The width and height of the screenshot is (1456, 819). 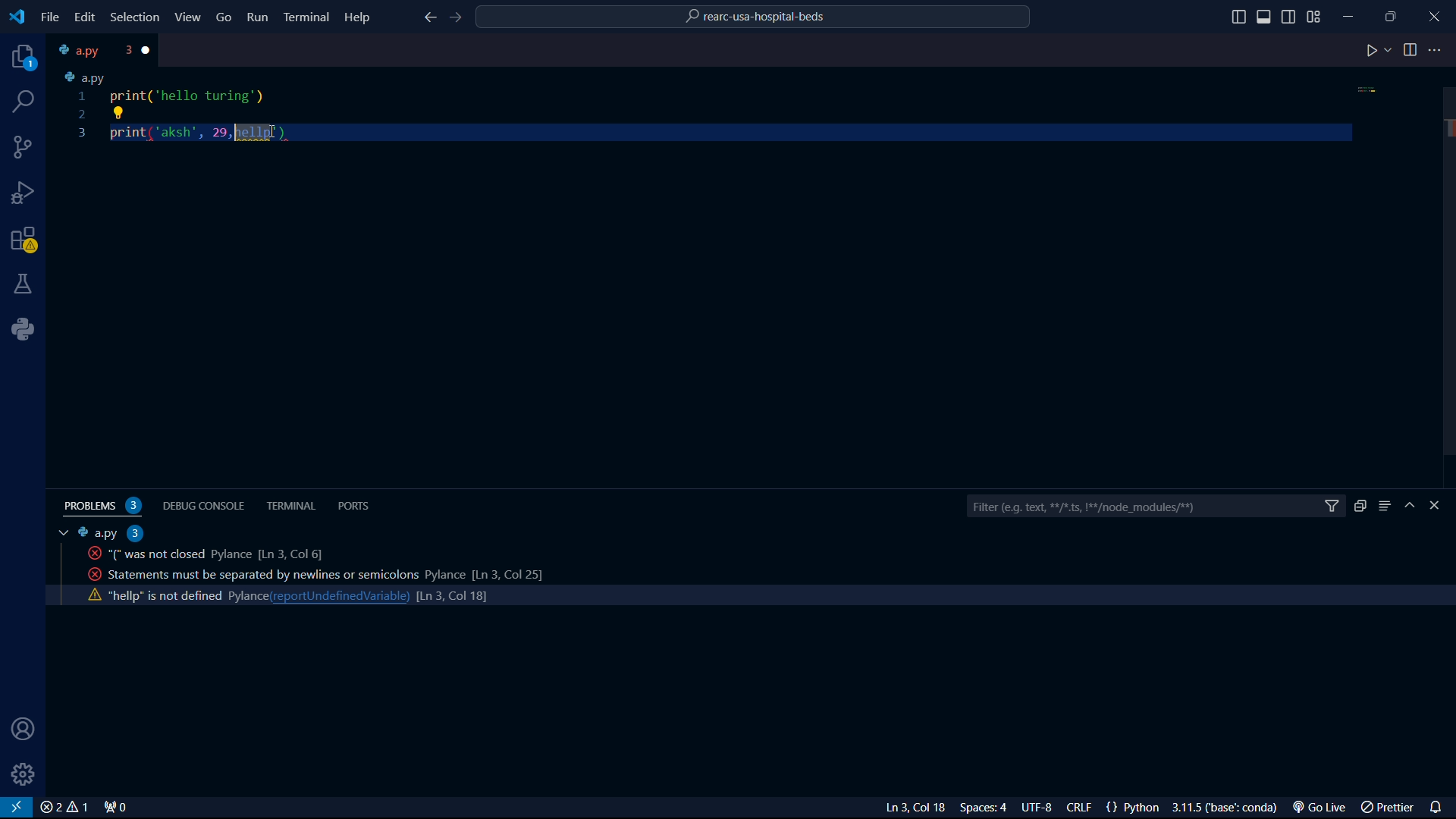 What do you see at coordinates (459, 18) in the screenshot?
I see `foward` at bounding box center [459, 18].